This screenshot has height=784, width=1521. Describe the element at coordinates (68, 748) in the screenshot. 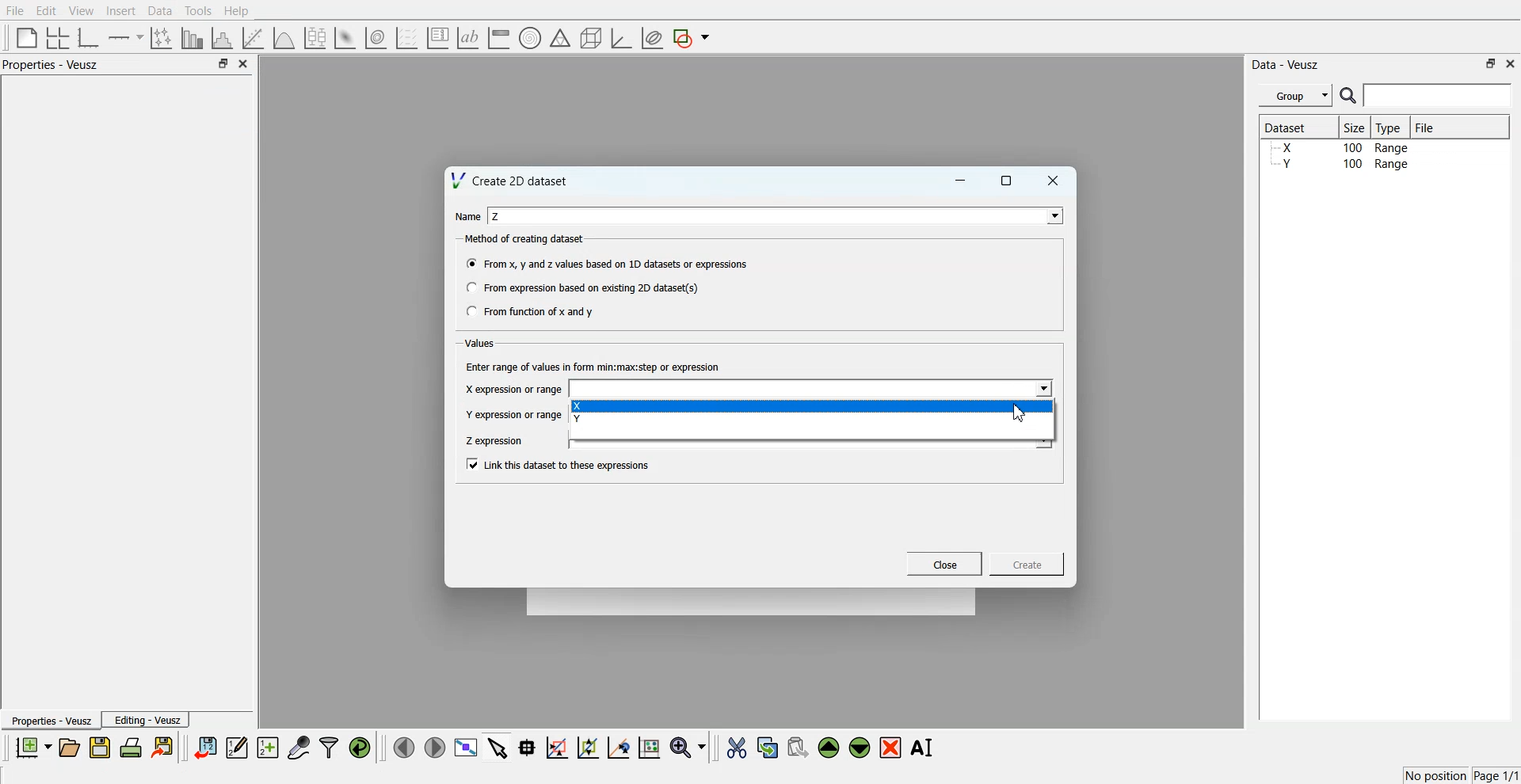

I see `Open the document` at that location.